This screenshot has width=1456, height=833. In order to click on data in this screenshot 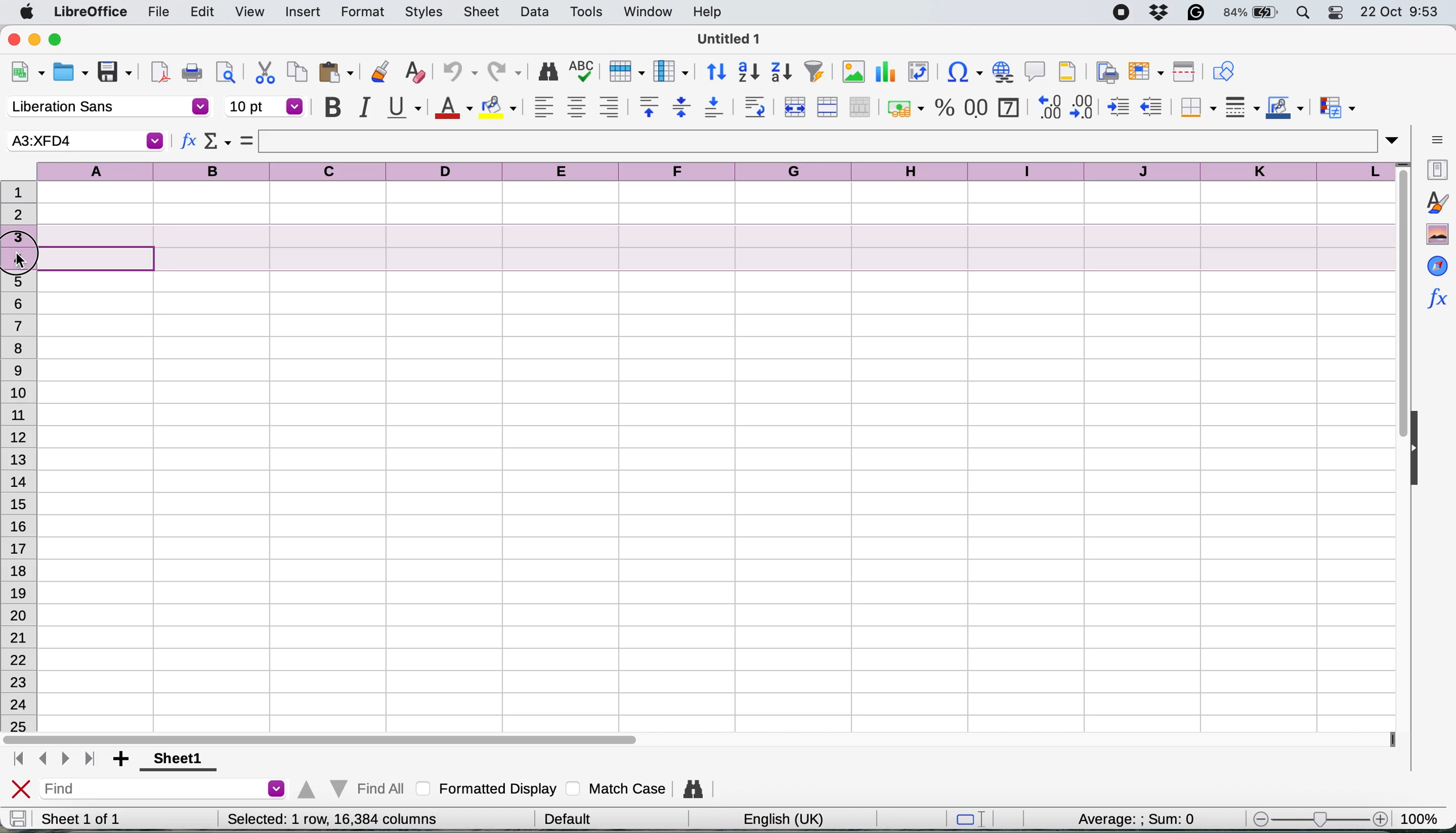, I will do `click(537, 11)`.